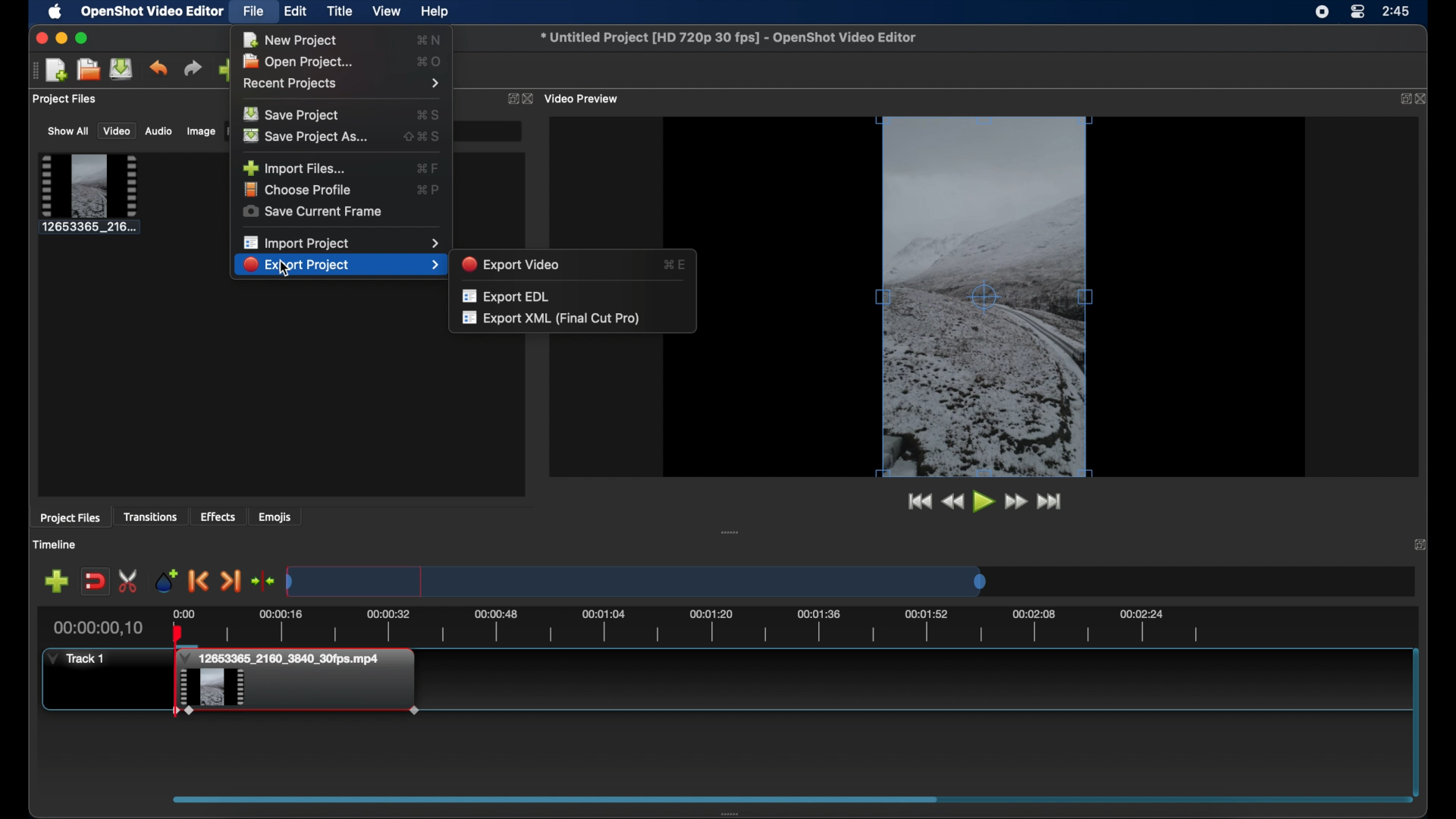  I want to click on import project menu, so click(340, 243).